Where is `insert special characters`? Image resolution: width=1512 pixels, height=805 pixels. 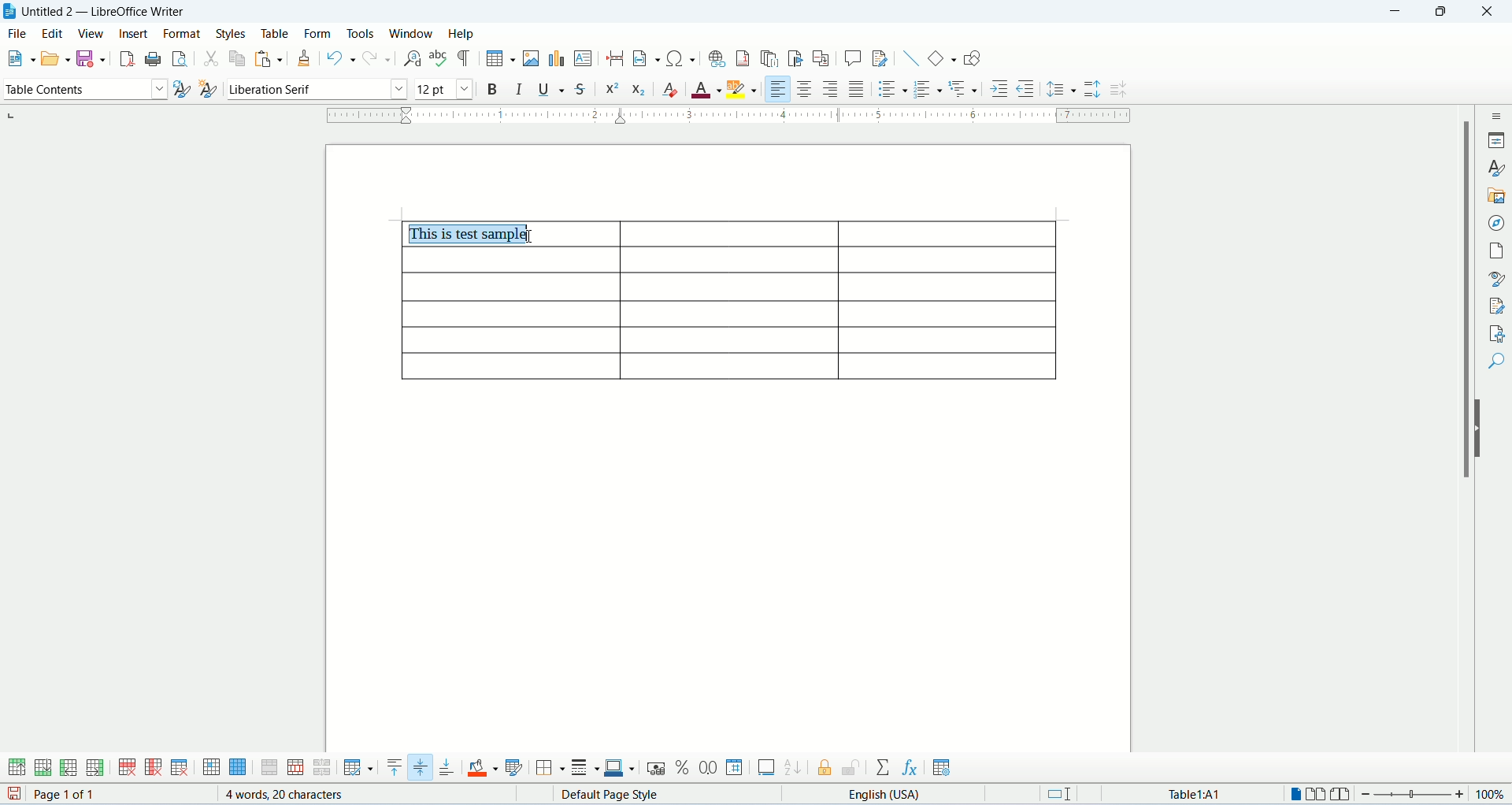 insert special characters is located at coordinates (680, 58).